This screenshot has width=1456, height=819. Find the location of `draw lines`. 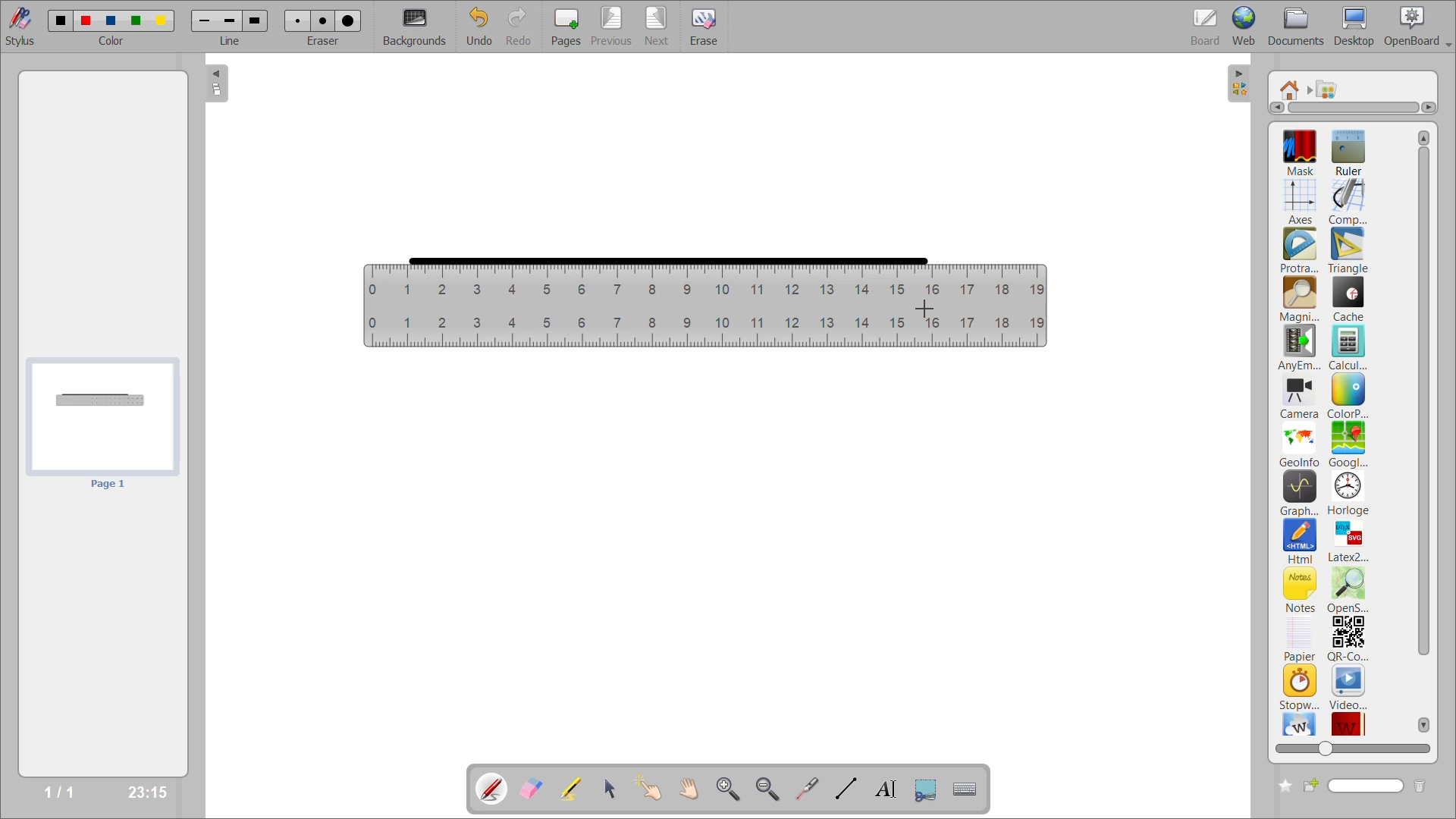

draw lines is located at coordinates (844, 788).